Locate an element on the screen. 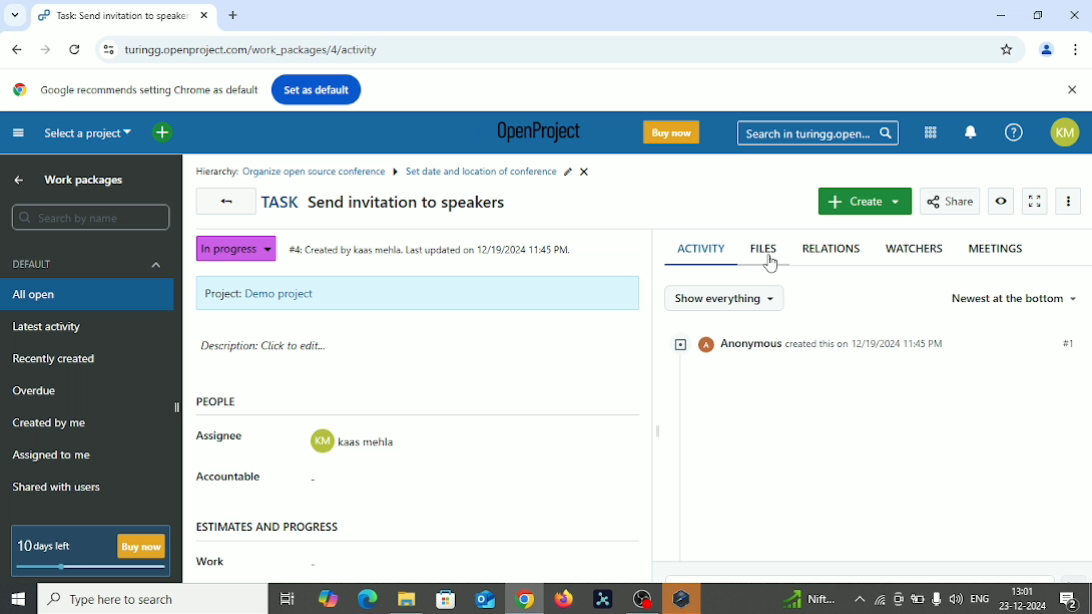  Sensex is located at coordinates (807, 599).